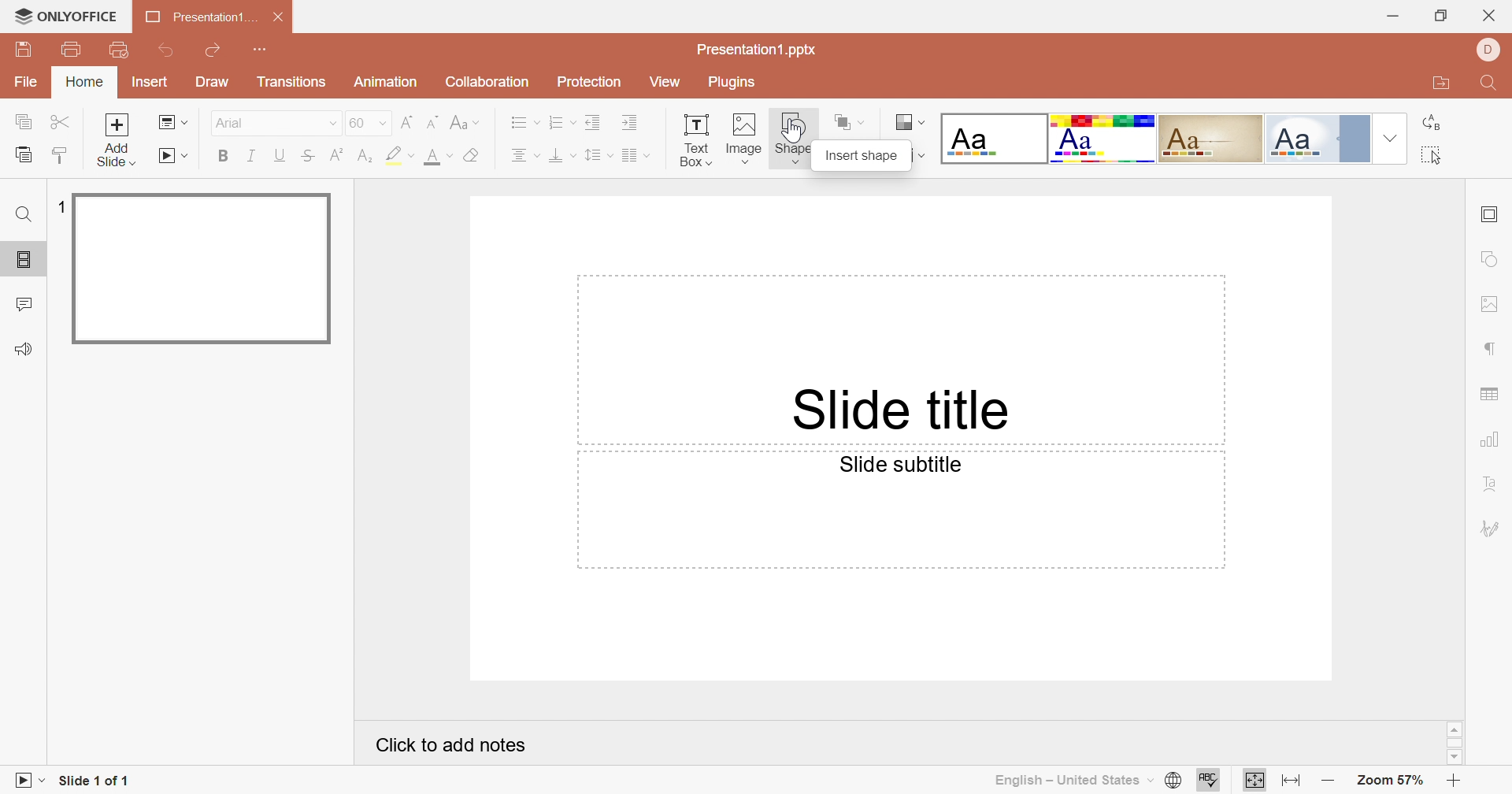  Describe the element at coordinates (1455, 729) in the screenshot. I see `Scroll up` at that location.